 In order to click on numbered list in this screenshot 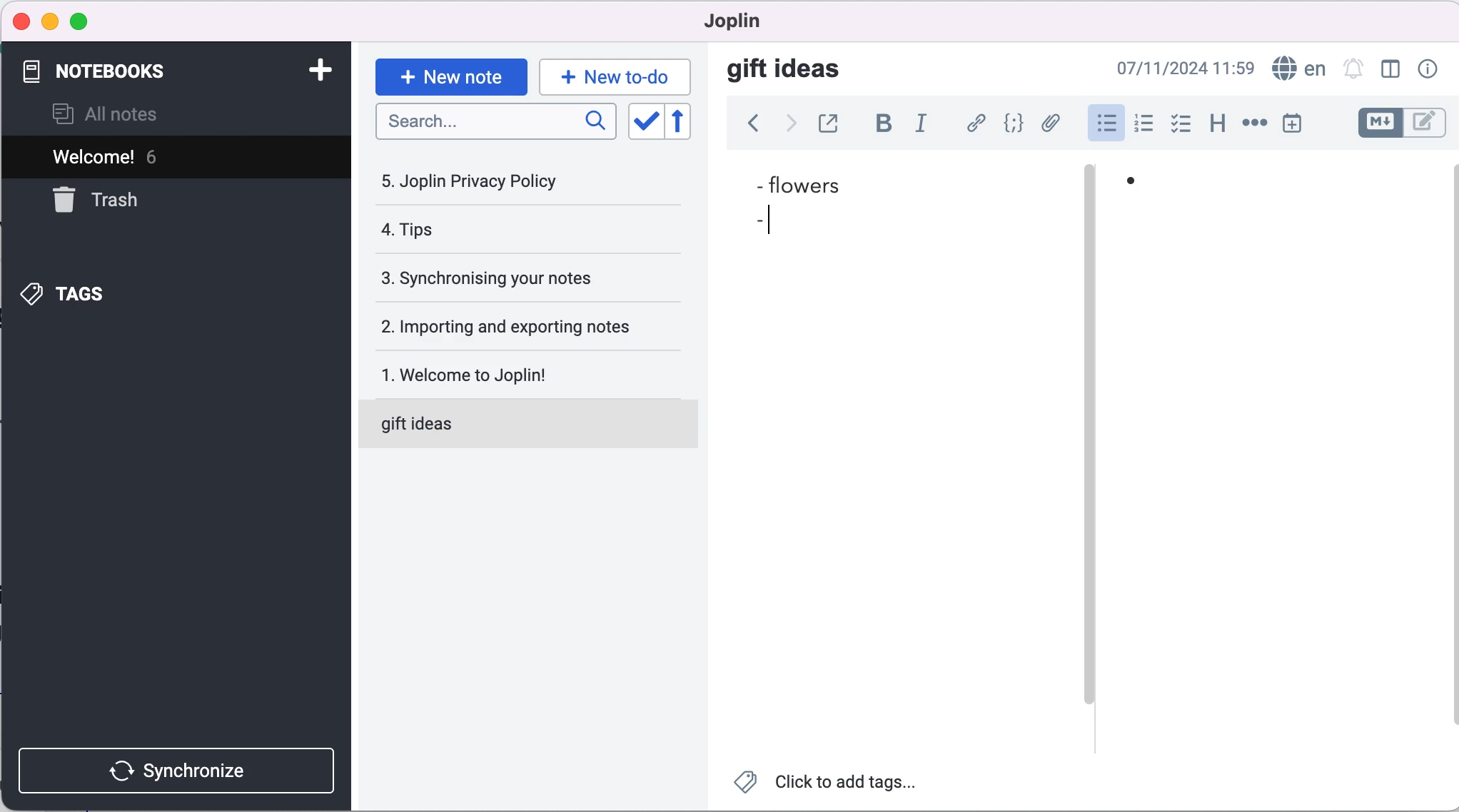, I will do `click(1144, 124)`.